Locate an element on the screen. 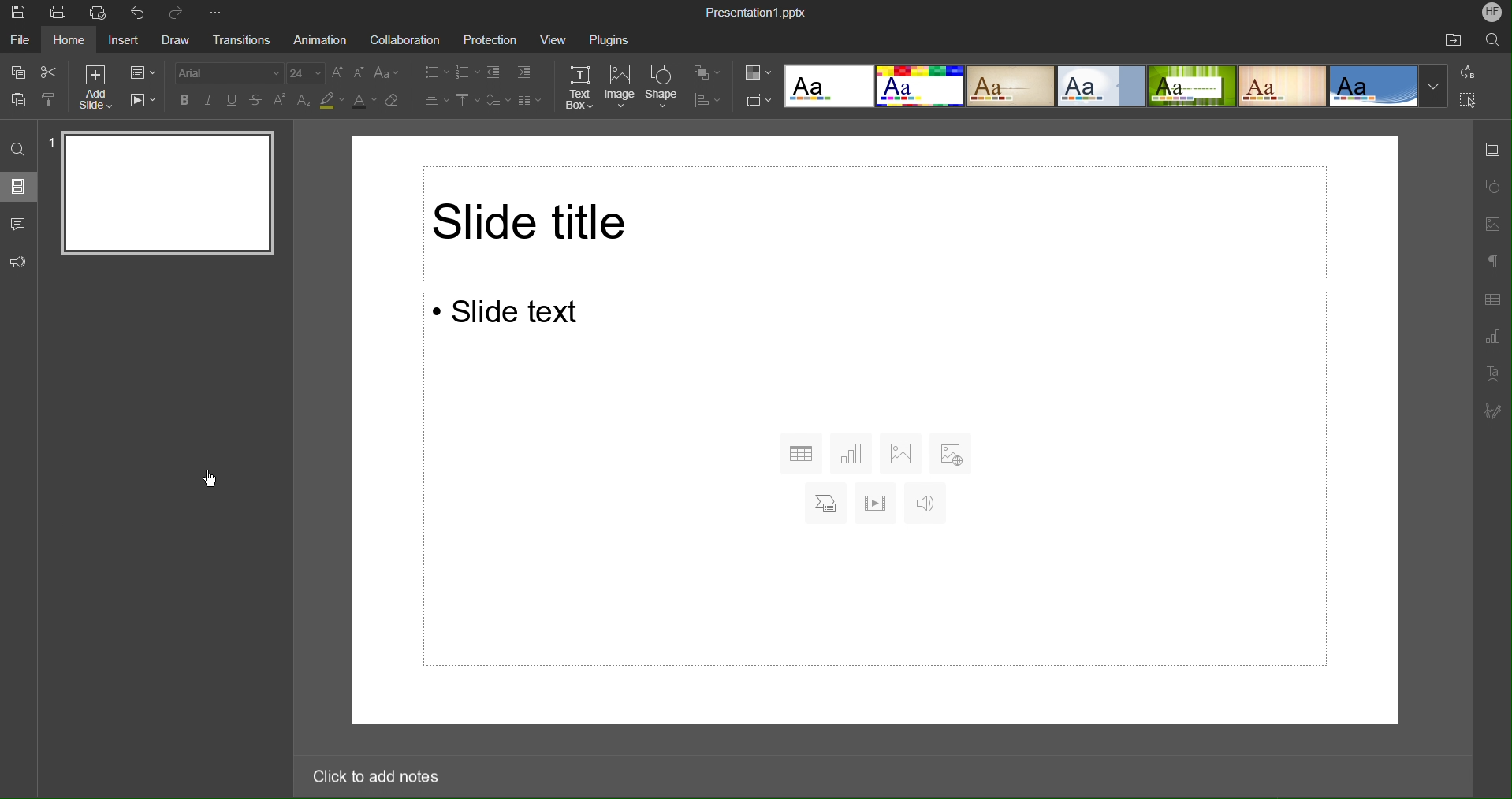  Undo is located at coordinates (138, 13).